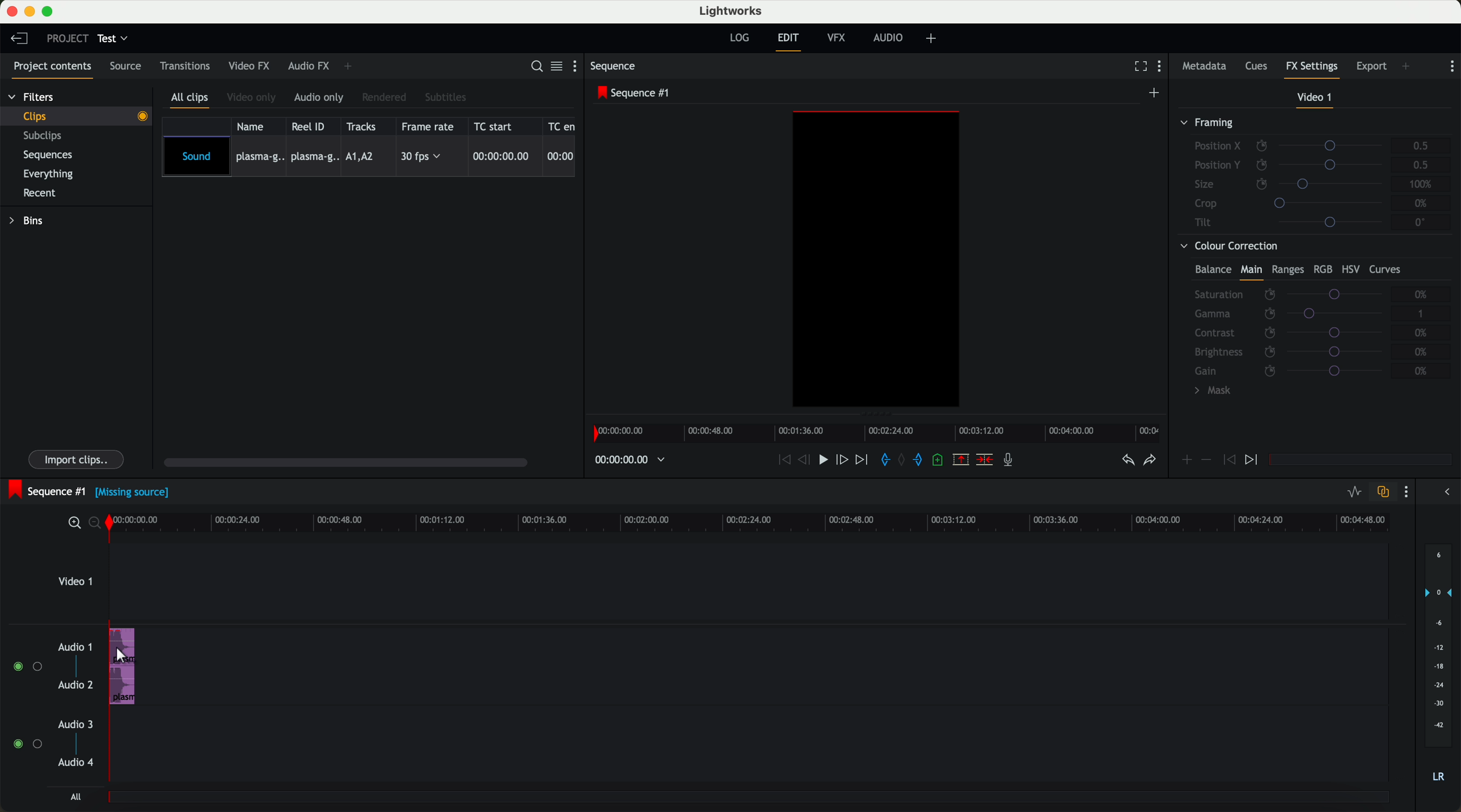  What do you see at coordinates (876, 261) in the screenshot?
I see `workspace` at bounding box center [876, 261].